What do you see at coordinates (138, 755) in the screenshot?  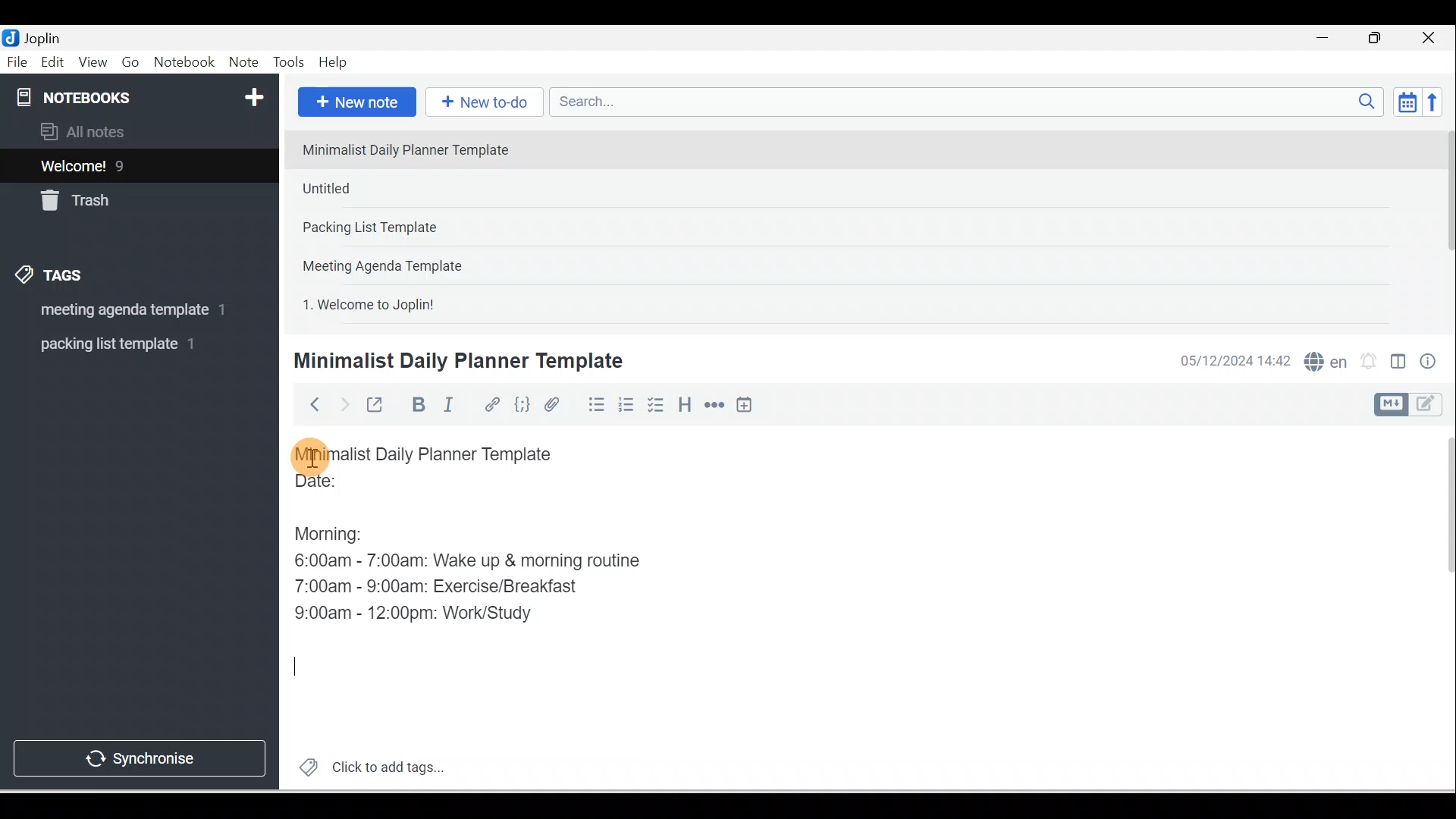 I see `Synchronise` at bounding box center [138, 755].